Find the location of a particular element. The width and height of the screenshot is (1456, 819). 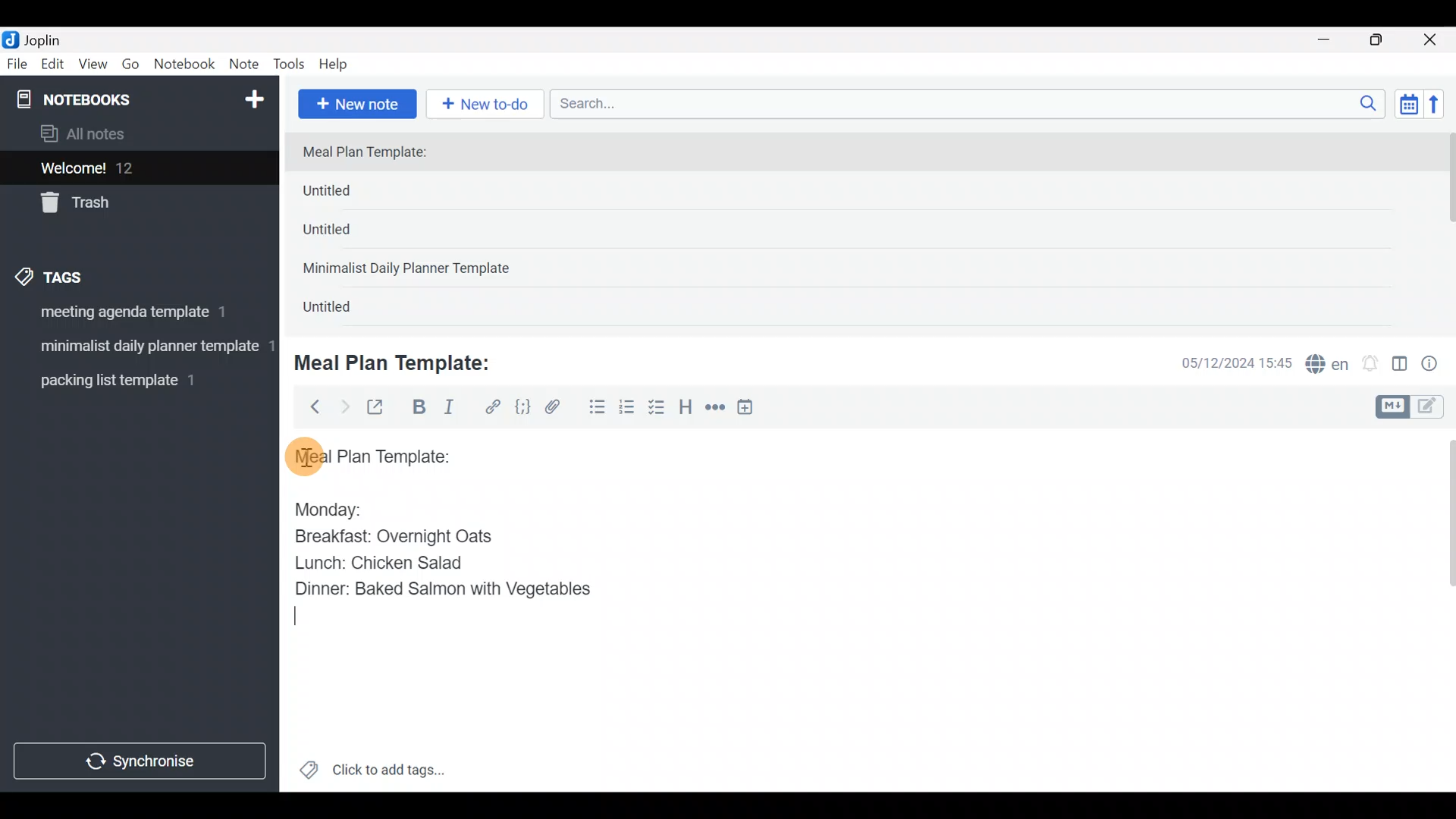

Toggle editor layout is located at coordinates (1401, 366).